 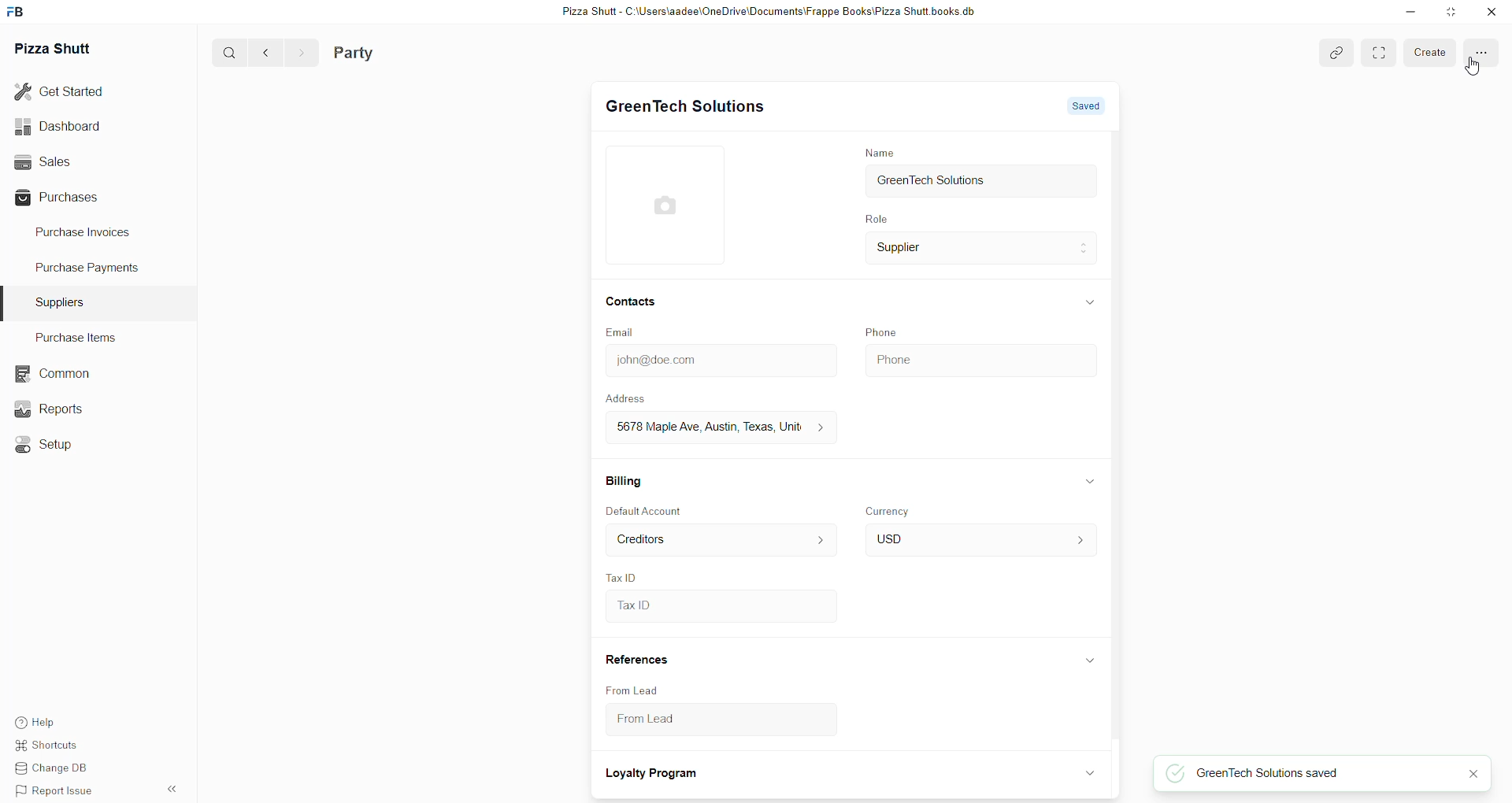 What do you see at coordinates (1473, 773) in the screenshot?
I see `close` at bounding box center [1473, 773].